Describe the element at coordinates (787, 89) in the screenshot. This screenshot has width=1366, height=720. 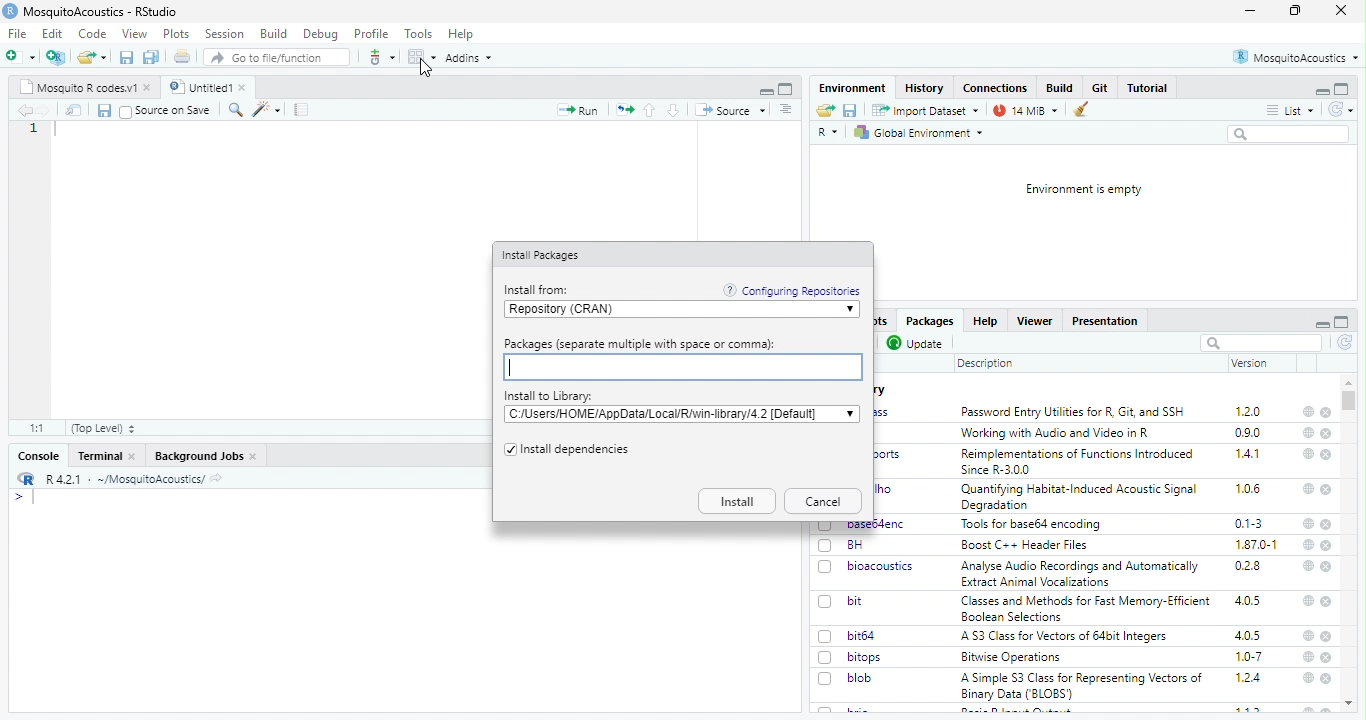
I see `maiximize` at that location.